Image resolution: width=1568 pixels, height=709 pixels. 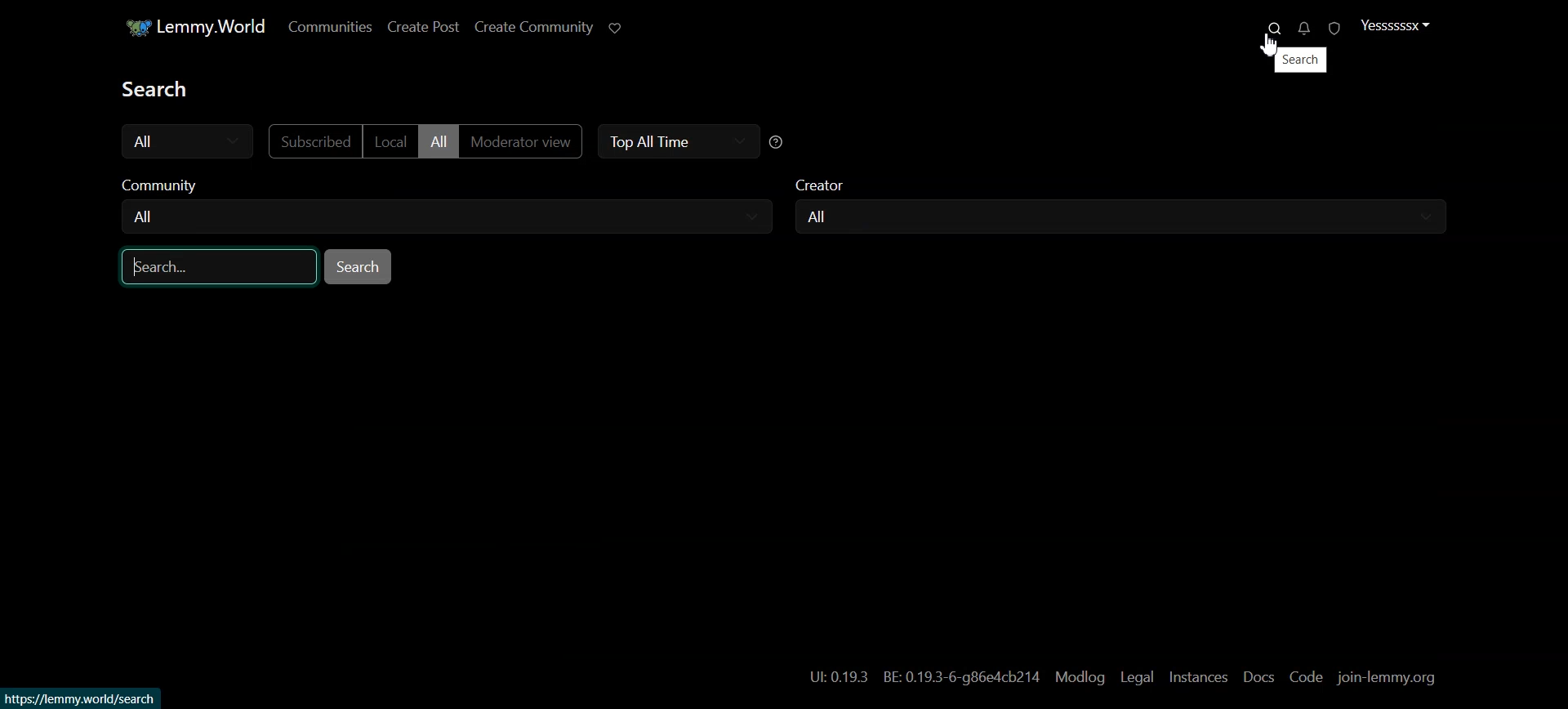 What do you see at coordinates (1078, 677) in the screenshot?
I see `Modlog` at bounding box center [1078, 677].